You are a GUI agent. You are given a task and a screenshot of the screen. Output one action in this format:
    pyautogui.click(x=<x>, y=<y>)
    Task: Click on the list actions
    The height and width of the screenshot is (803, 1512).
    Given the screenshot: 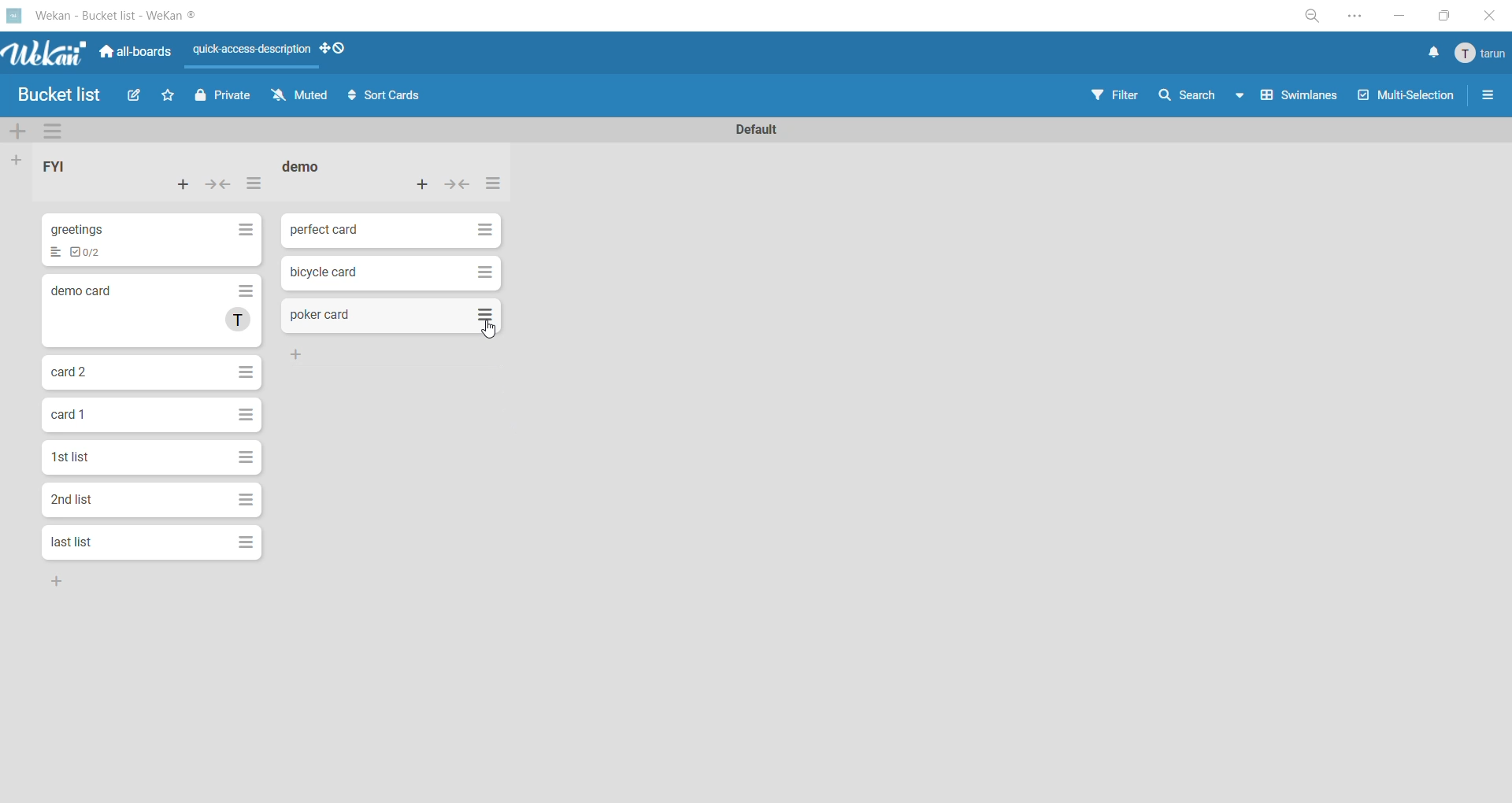 What is the action you would take?
    pyautogui.click(x=254, y=187)
    